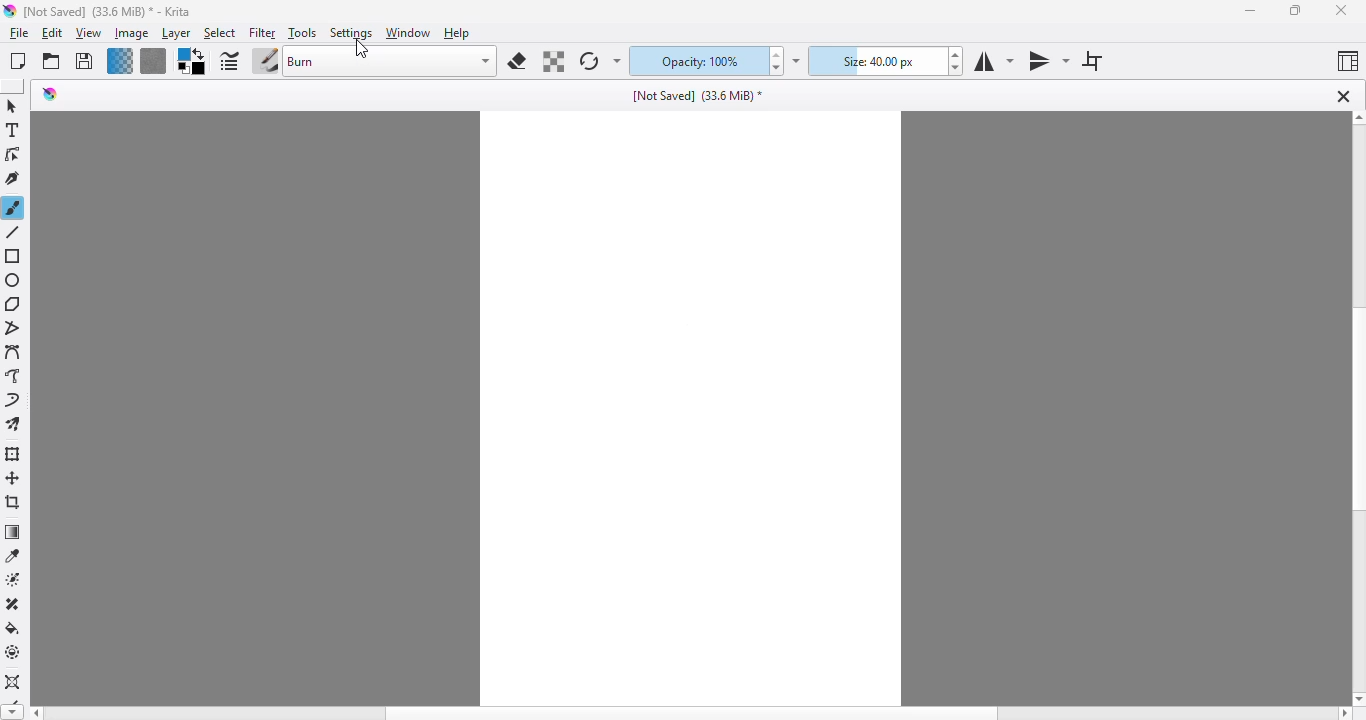 The height and width of the screenshot is (720, 1366). I want to click on choose workspace, so click(1348, 60).